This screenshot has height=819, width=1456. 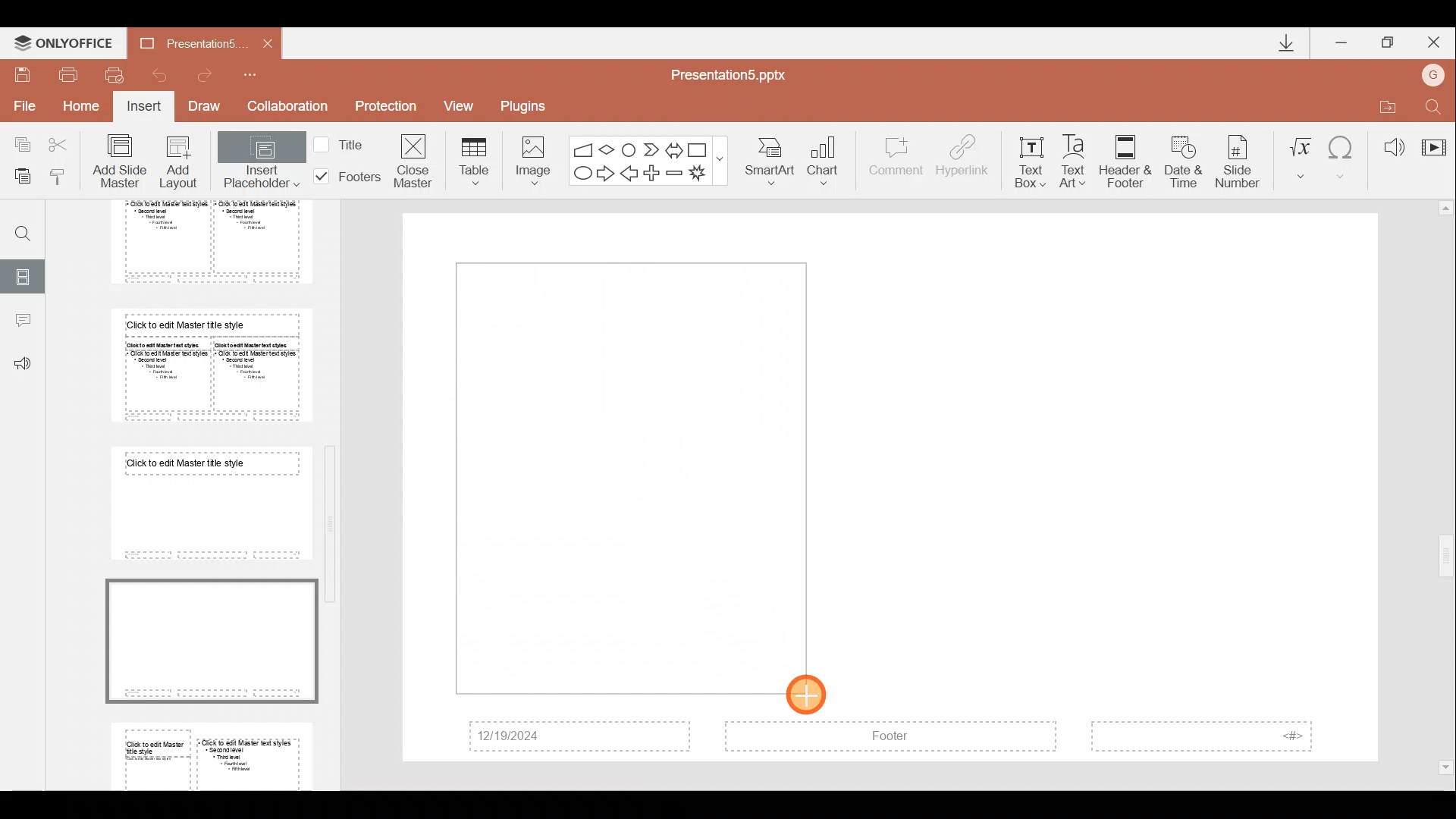 I want to click on Minus, so click(x=675, y=173).